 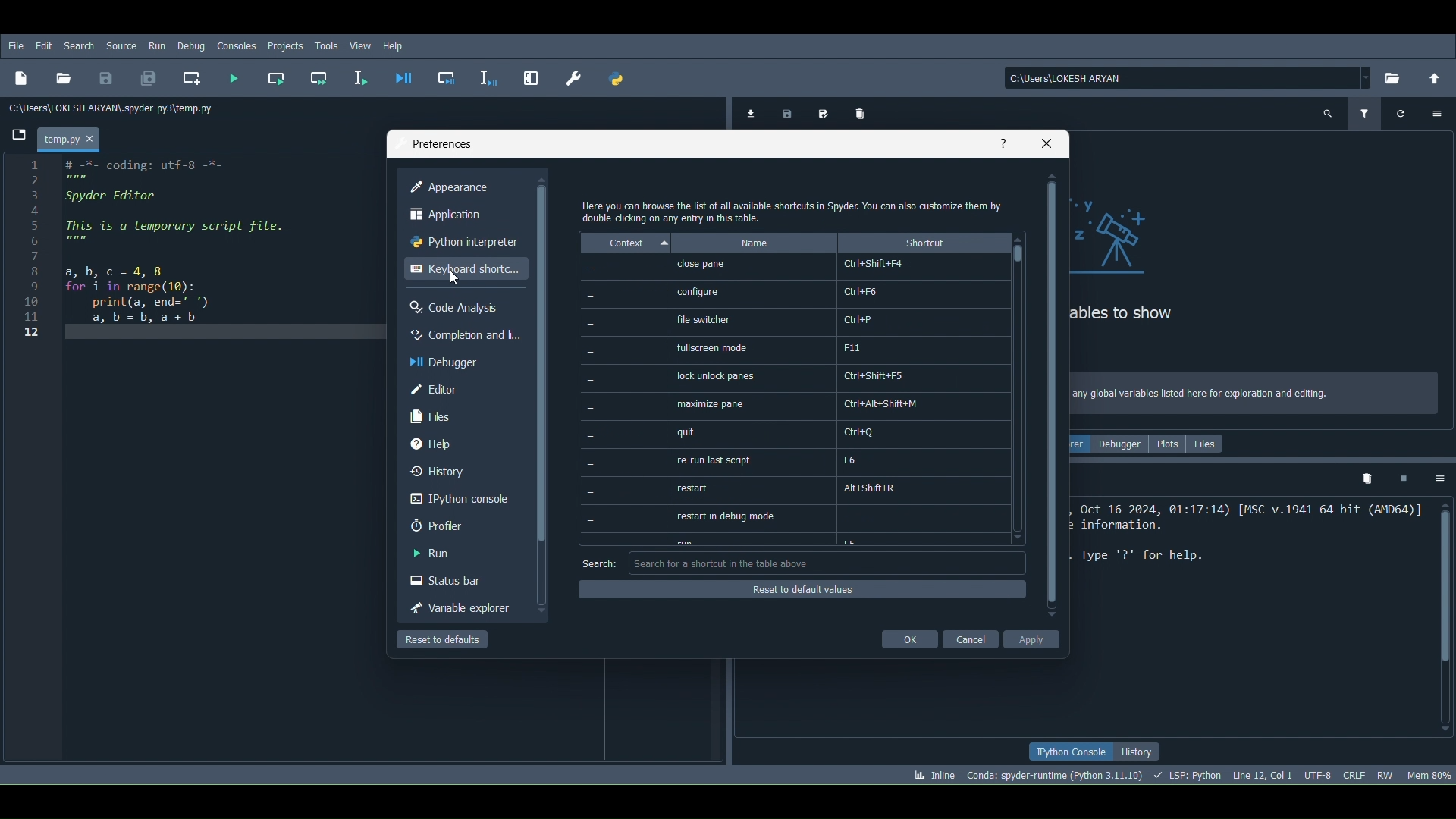 What do you see at coordinates (1188, 774) in the screenshot?
I see `Completions, linting code folding and symbols status` at bounding box center [1188, 774].